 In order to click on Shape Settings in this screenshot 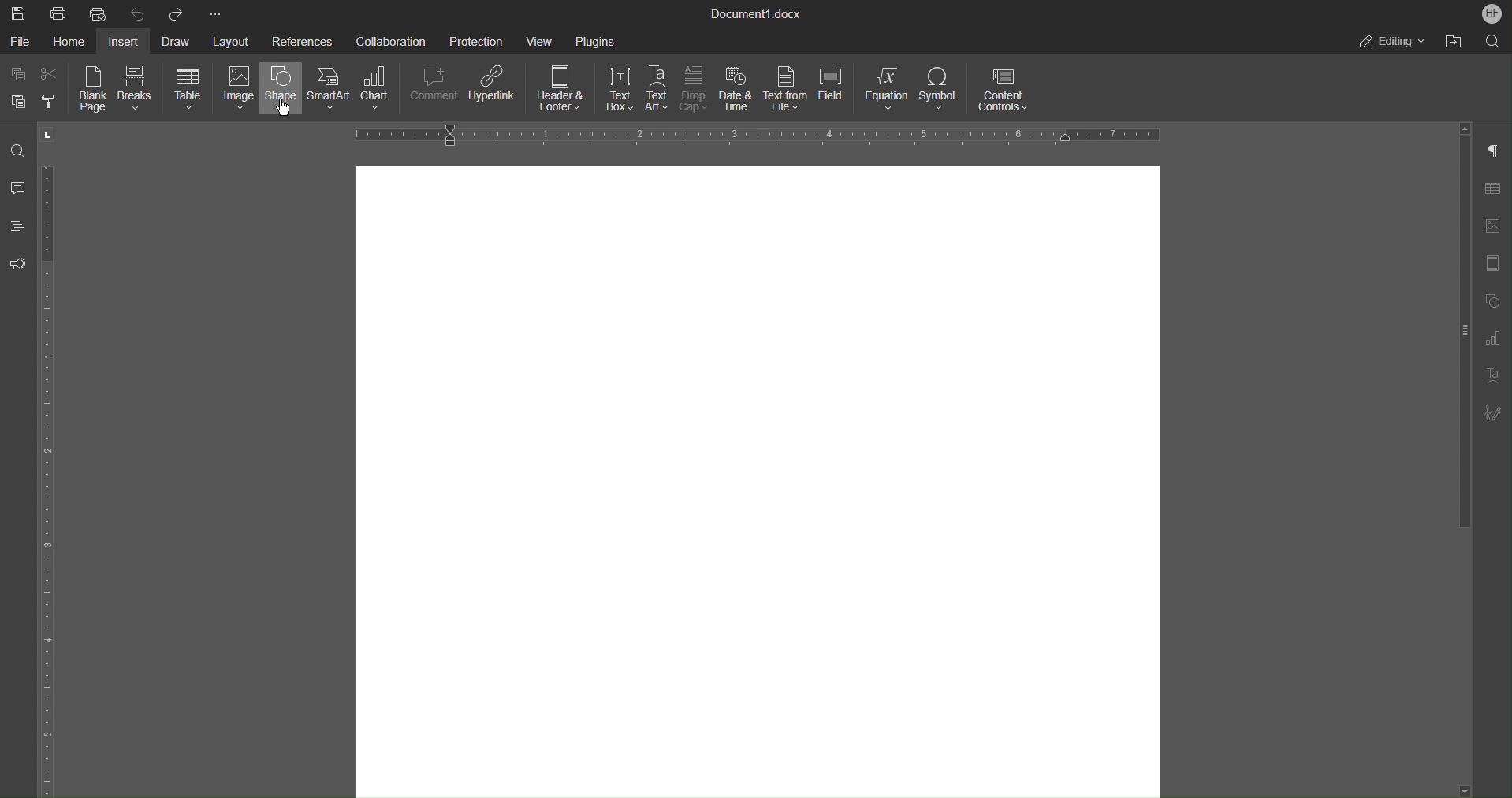, I will do `click(1496, 300)`.